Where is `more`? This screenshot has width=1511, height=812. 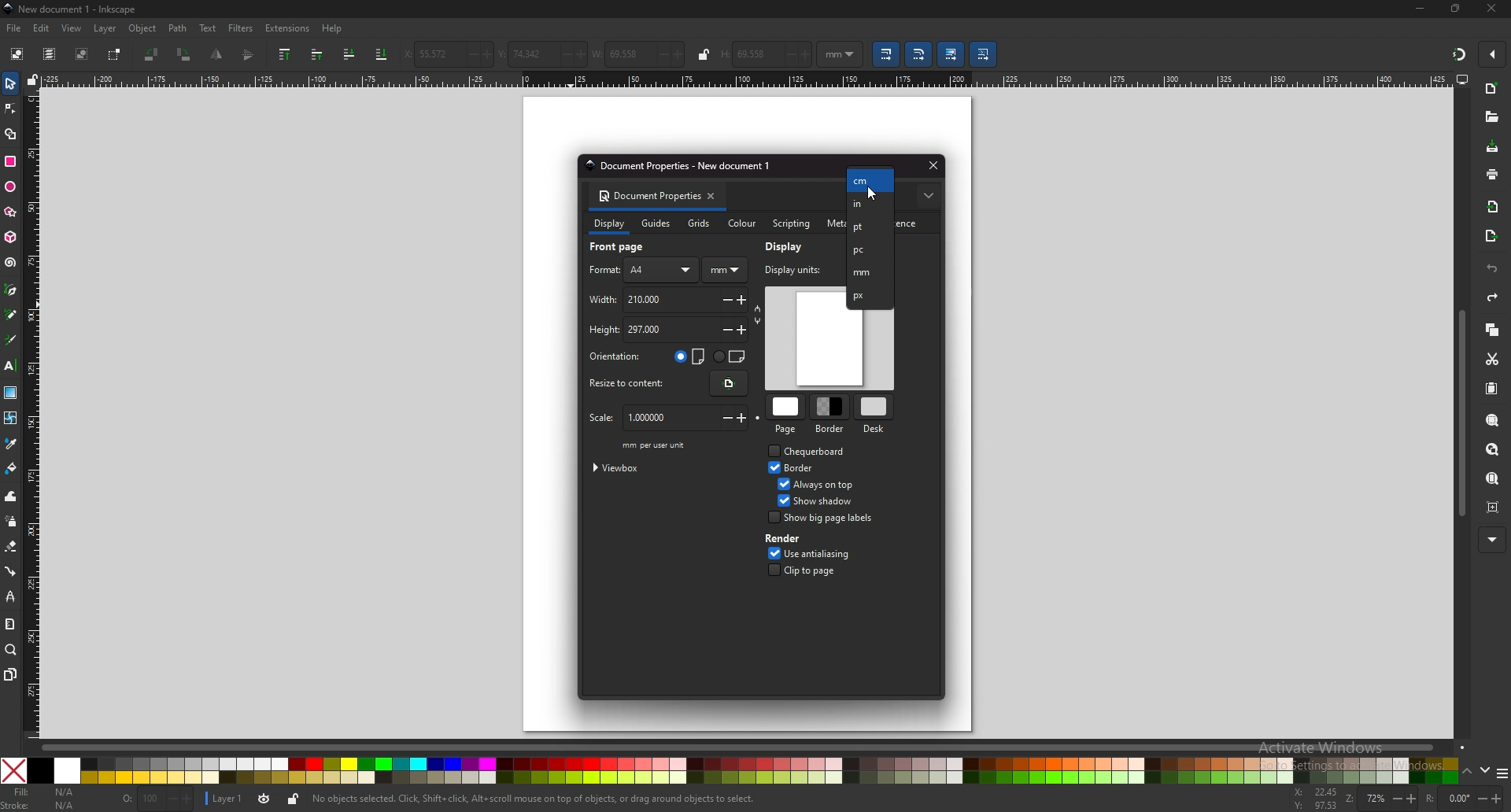 more is located at coordinates (1490, 539).